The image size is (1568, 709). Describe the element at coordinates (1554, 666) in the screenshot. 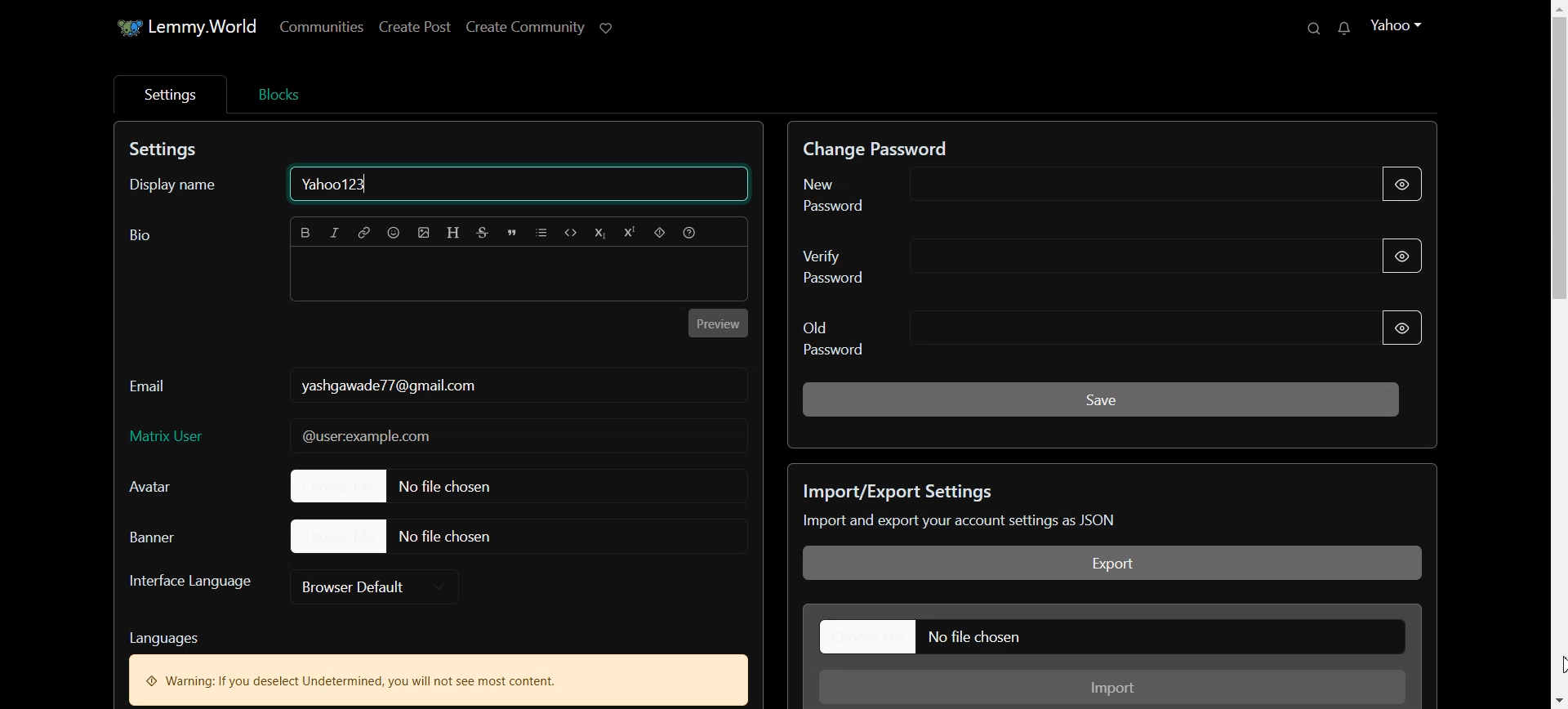

I see `Cursor` at that location.